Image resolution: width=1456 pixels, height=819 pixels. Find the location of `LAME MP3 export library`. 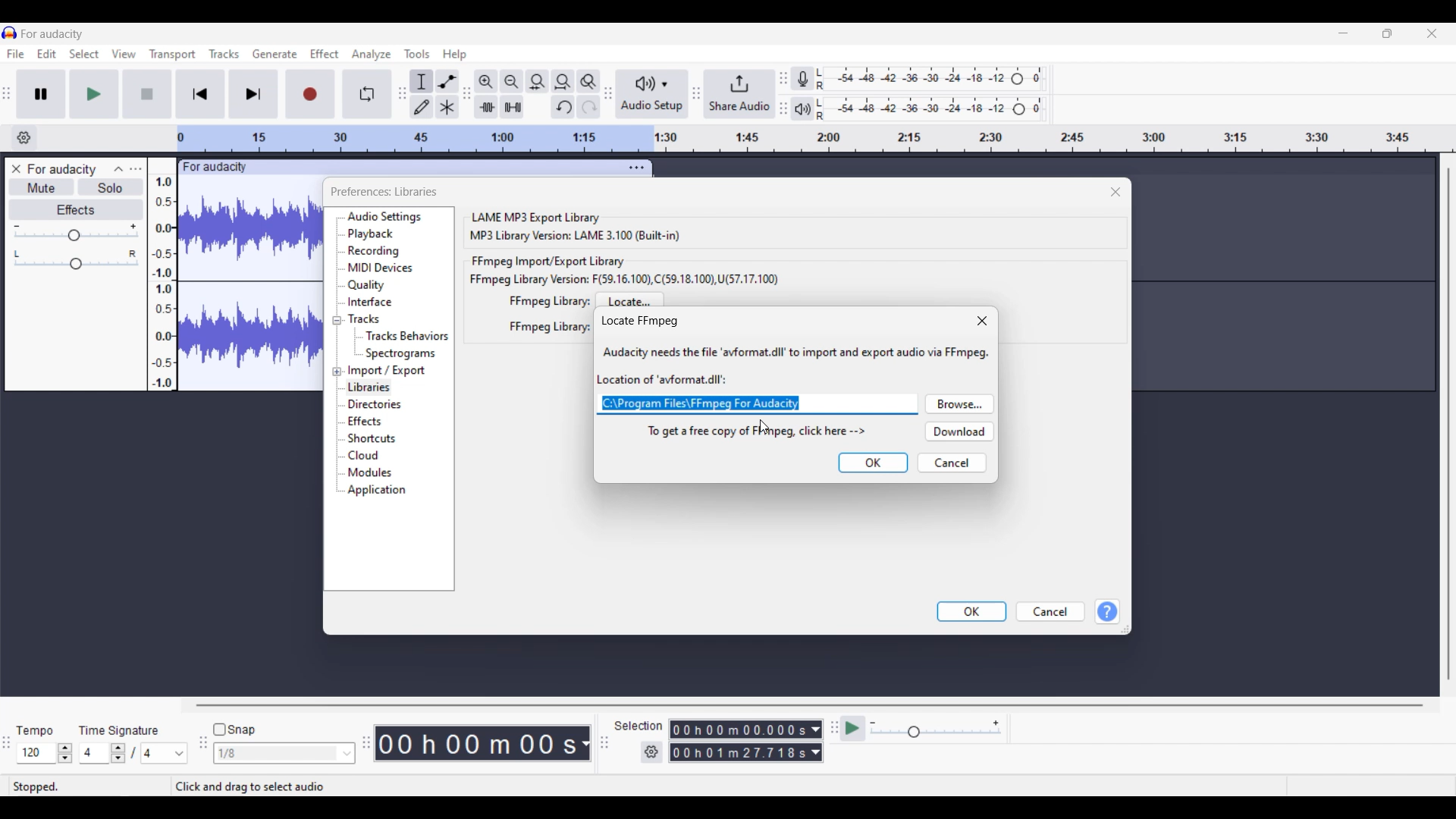

LAME MP3 export library is located at coordinates (535, 216).